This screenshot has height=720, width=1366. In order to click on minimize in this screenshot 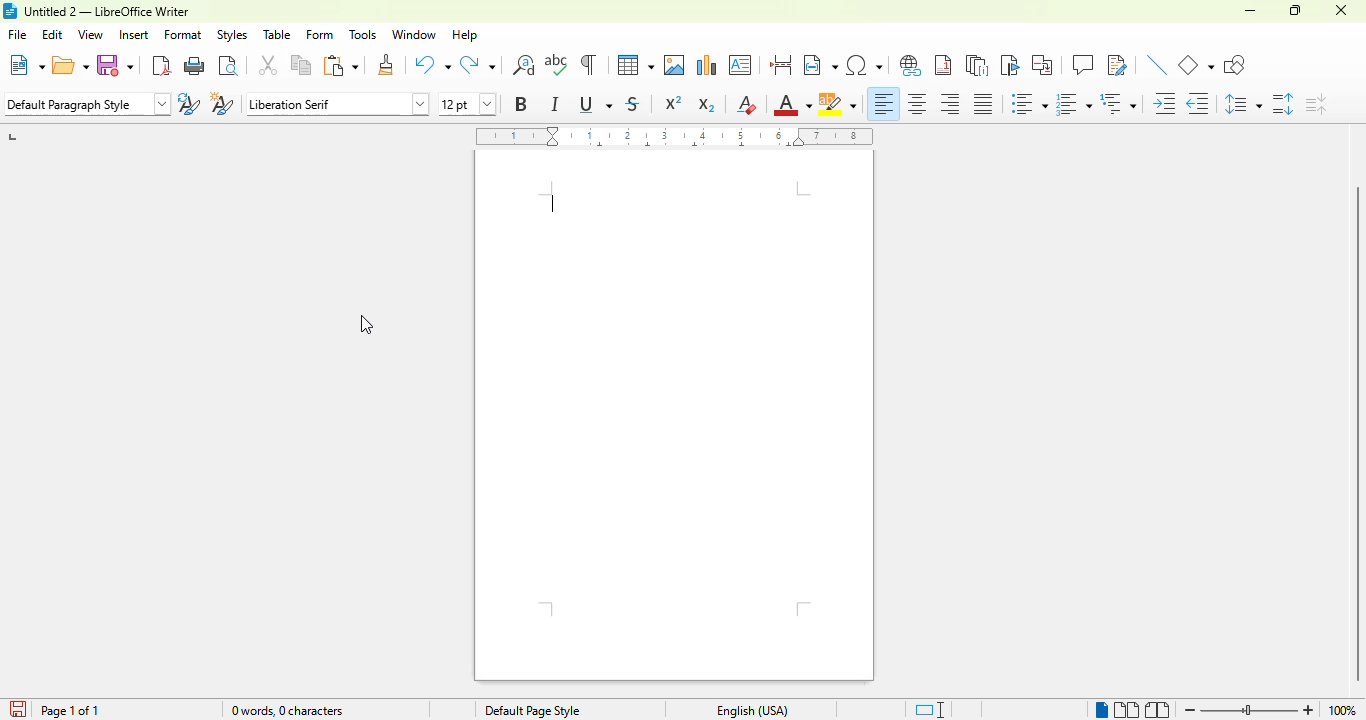, I will do `click(1250, 10)`.